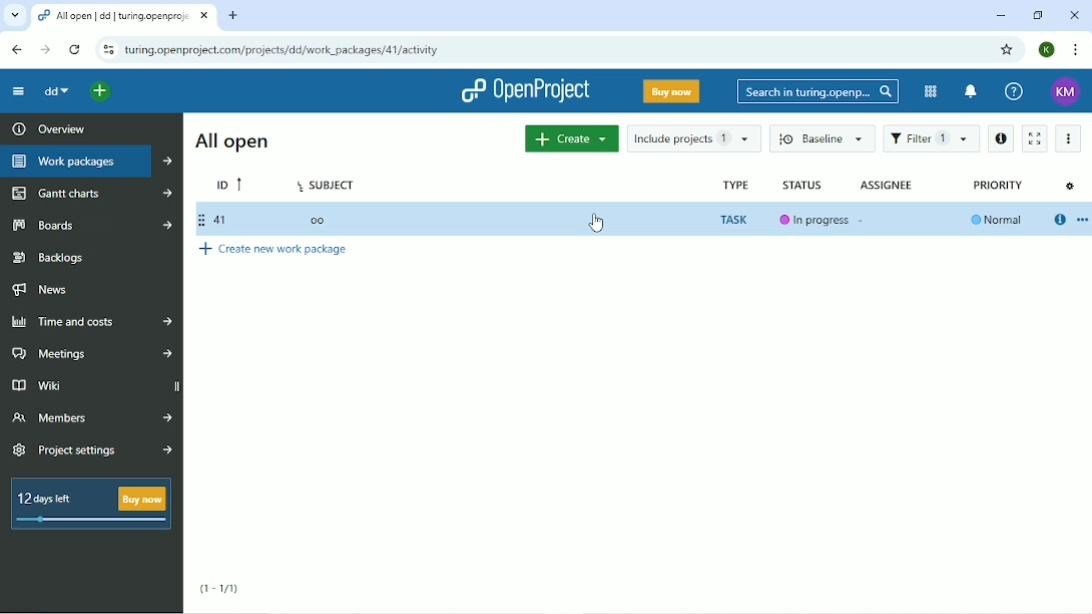 The width and height of the screenshot is (1092, 614). What do you see at coordinates (1059, 220) in the screenshot?
I see `Open details view` at bounding box center [1059, 220].